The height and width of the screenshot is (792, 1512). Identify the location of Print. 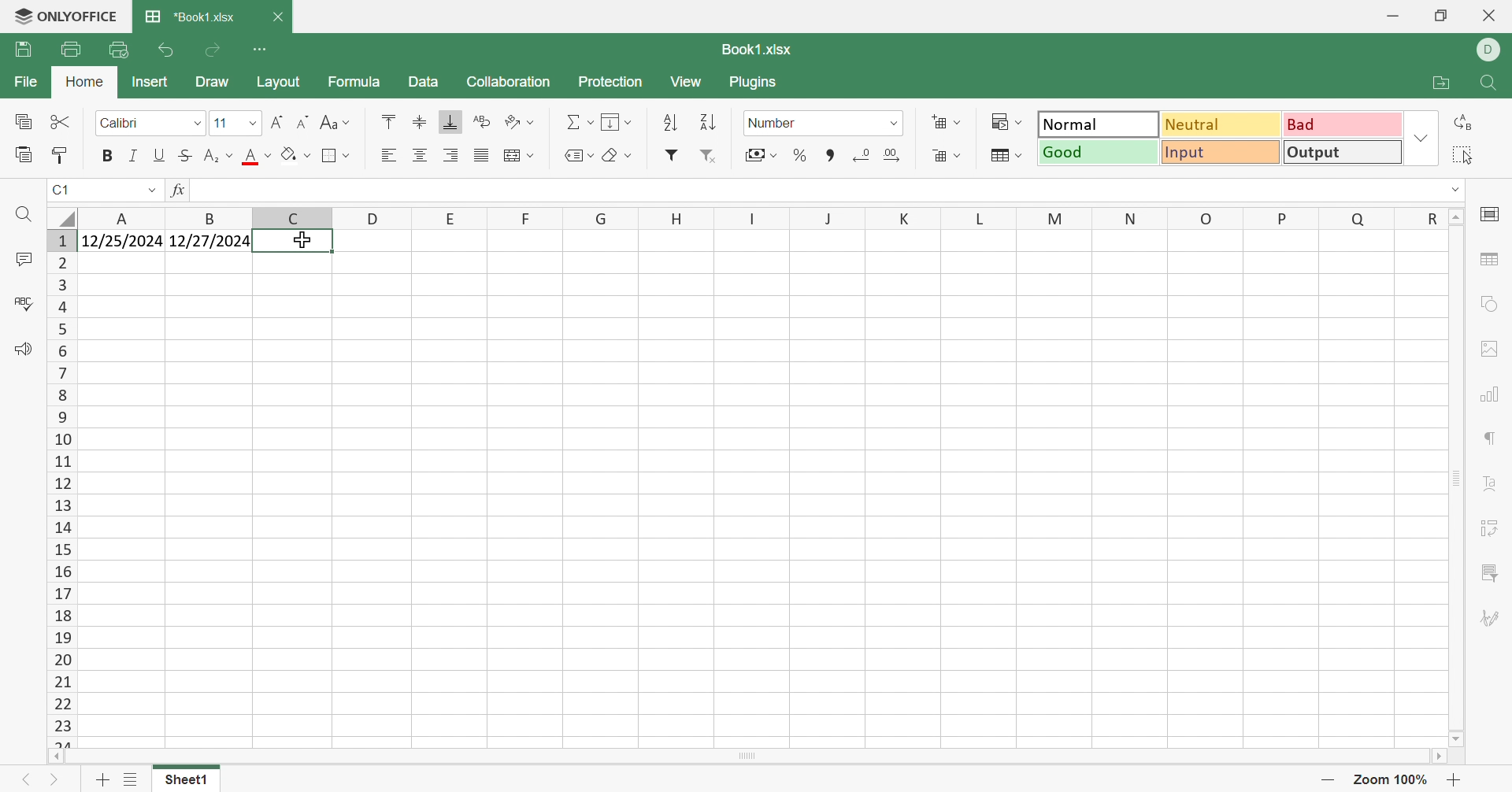
(22, 50).